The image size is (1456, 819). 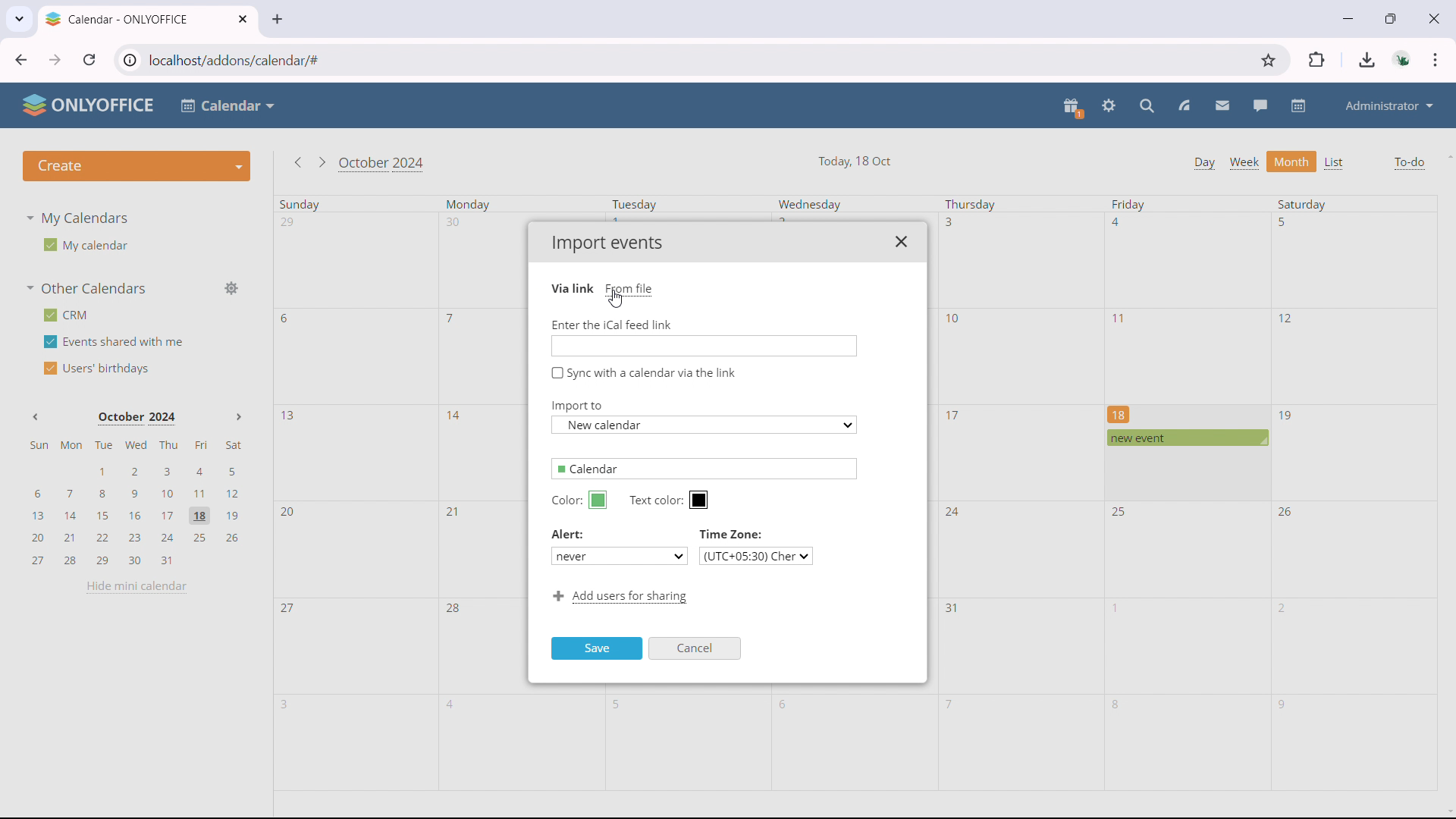 I want to click on My calendar, so click(x=87, y=246).